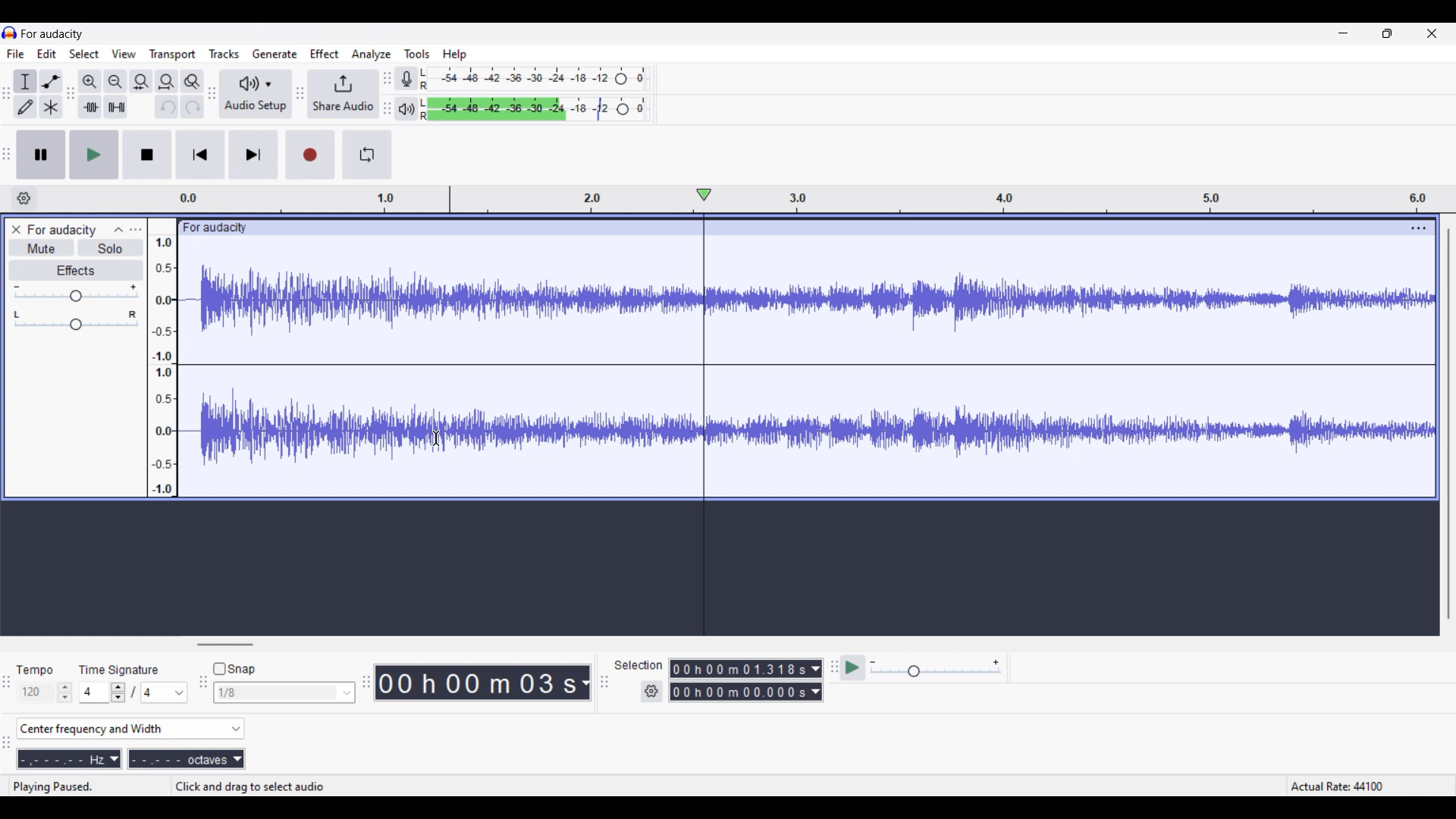 The height and width of the screenshot is (819, 1456). Describe the element at coordinates (405, 108) in the screenshot. I see `Playback meter` at that location.